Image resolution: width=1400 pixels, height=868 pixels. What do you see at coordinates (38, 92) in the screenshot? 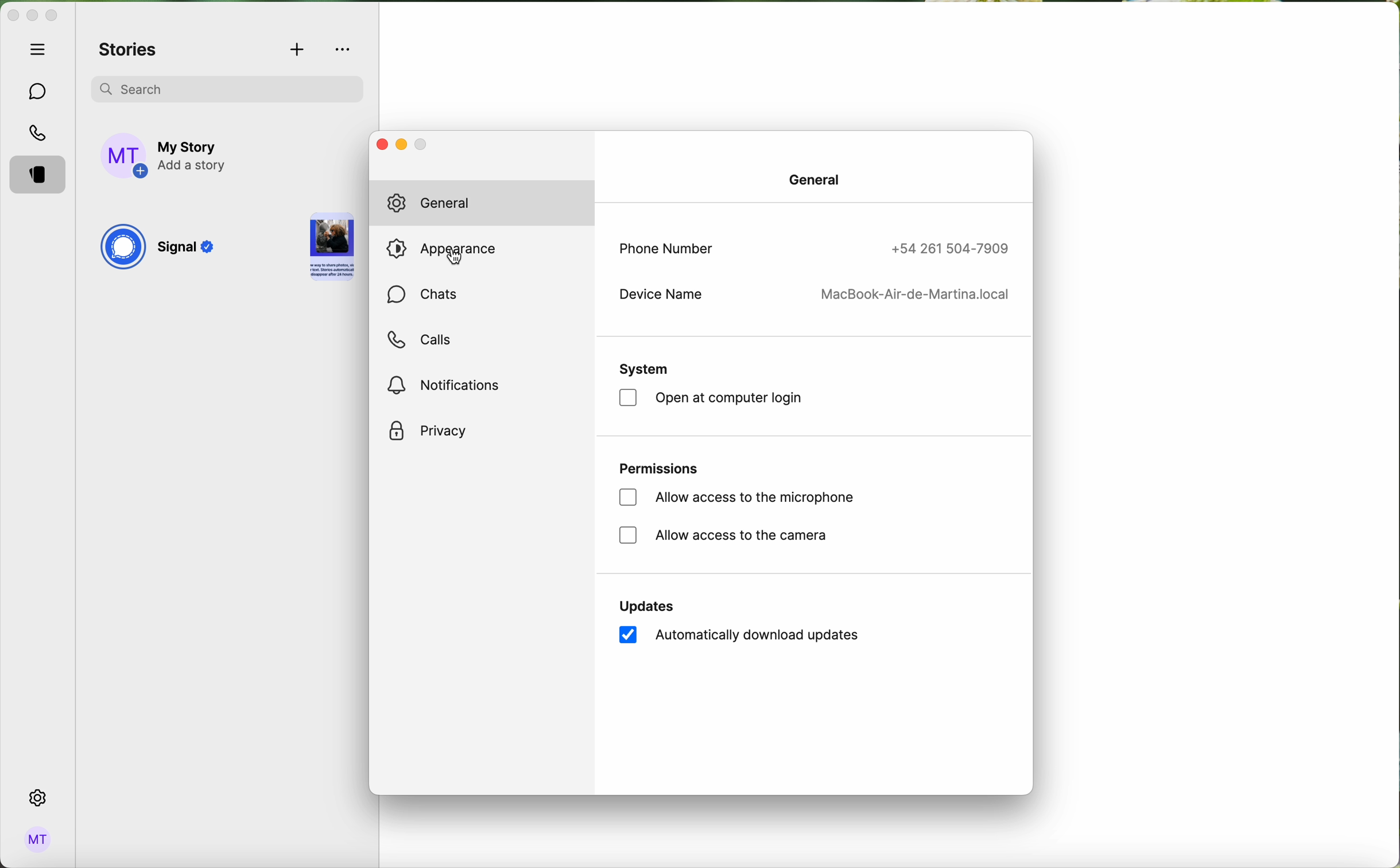
I see `chats` at bounding box center [38, 92].